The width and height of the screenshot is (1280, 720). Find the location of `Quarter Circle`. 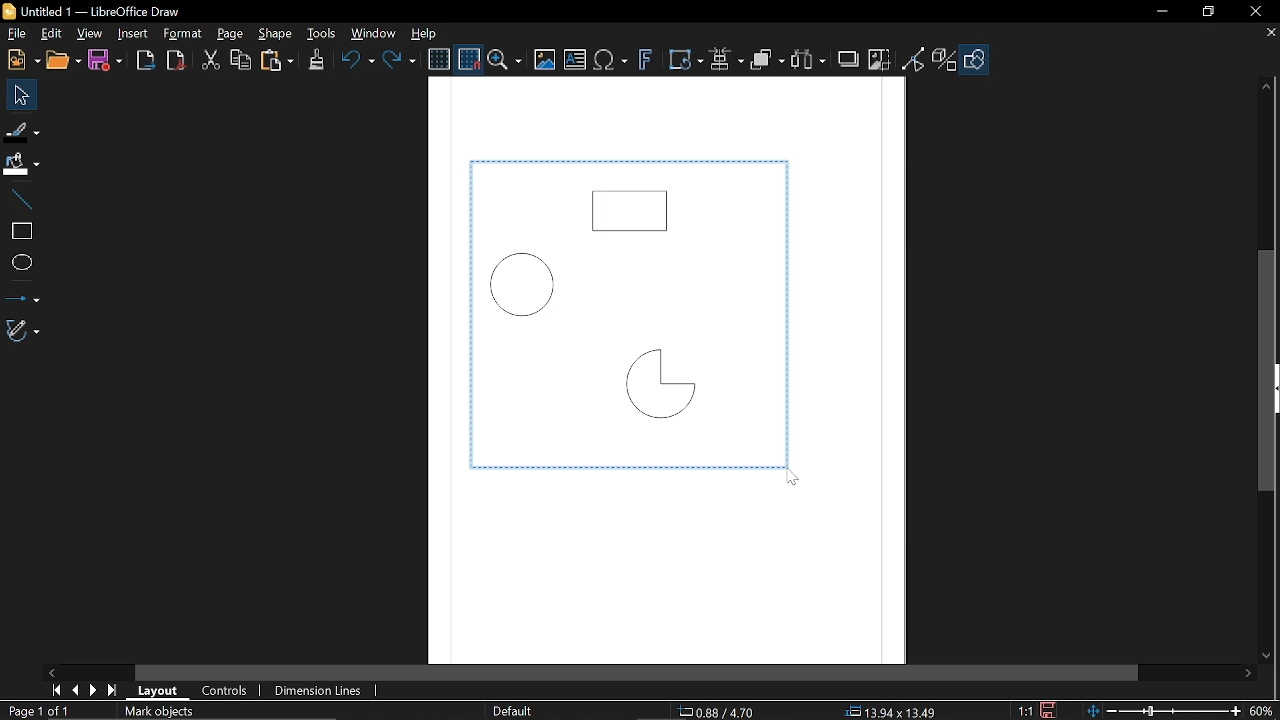

Quarter Circle is located at coordinates (656, 388).